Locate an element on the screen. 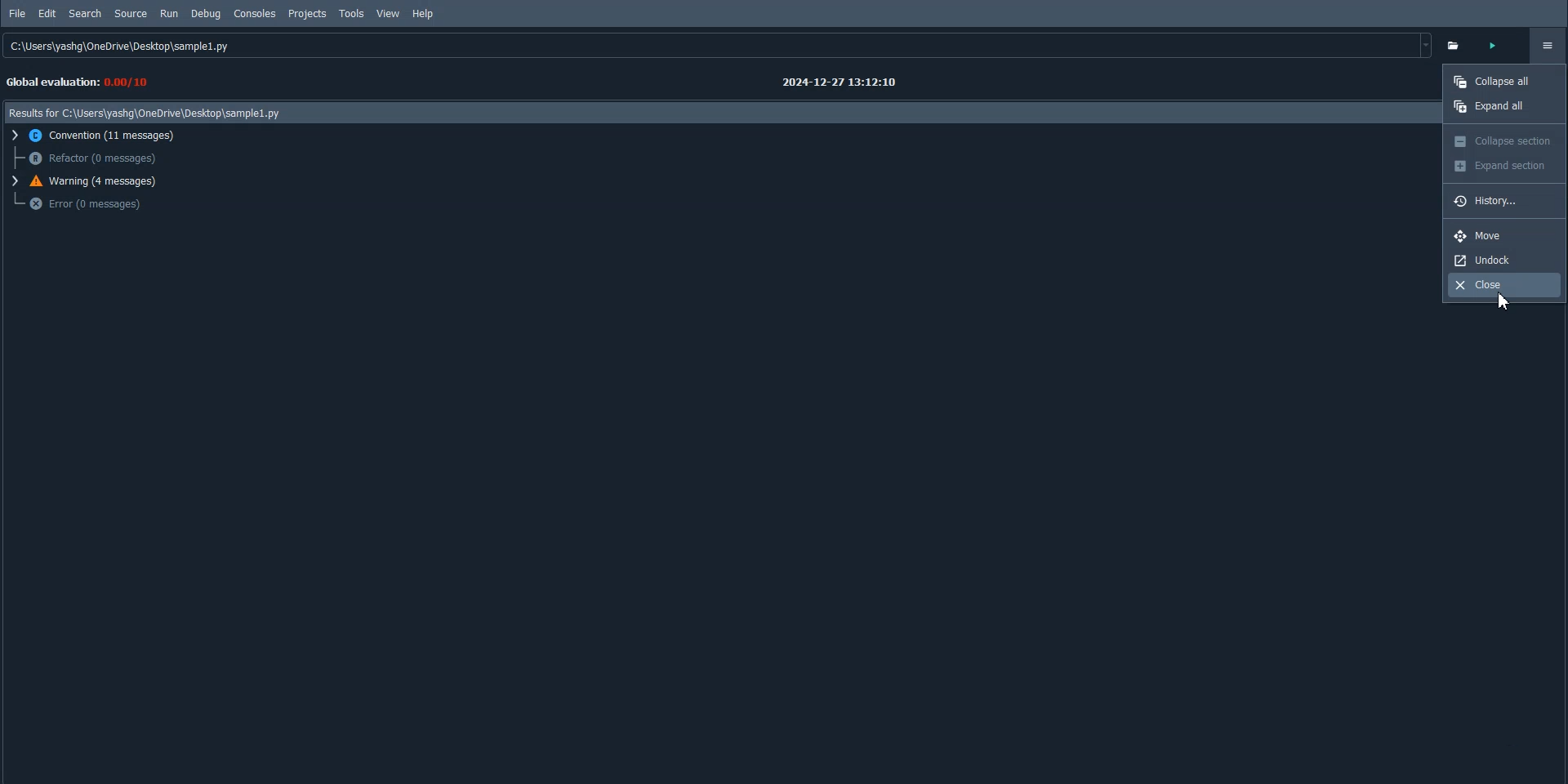 This screenshot has width=1568, height=784. Debug is located at coordinates (205, 14).